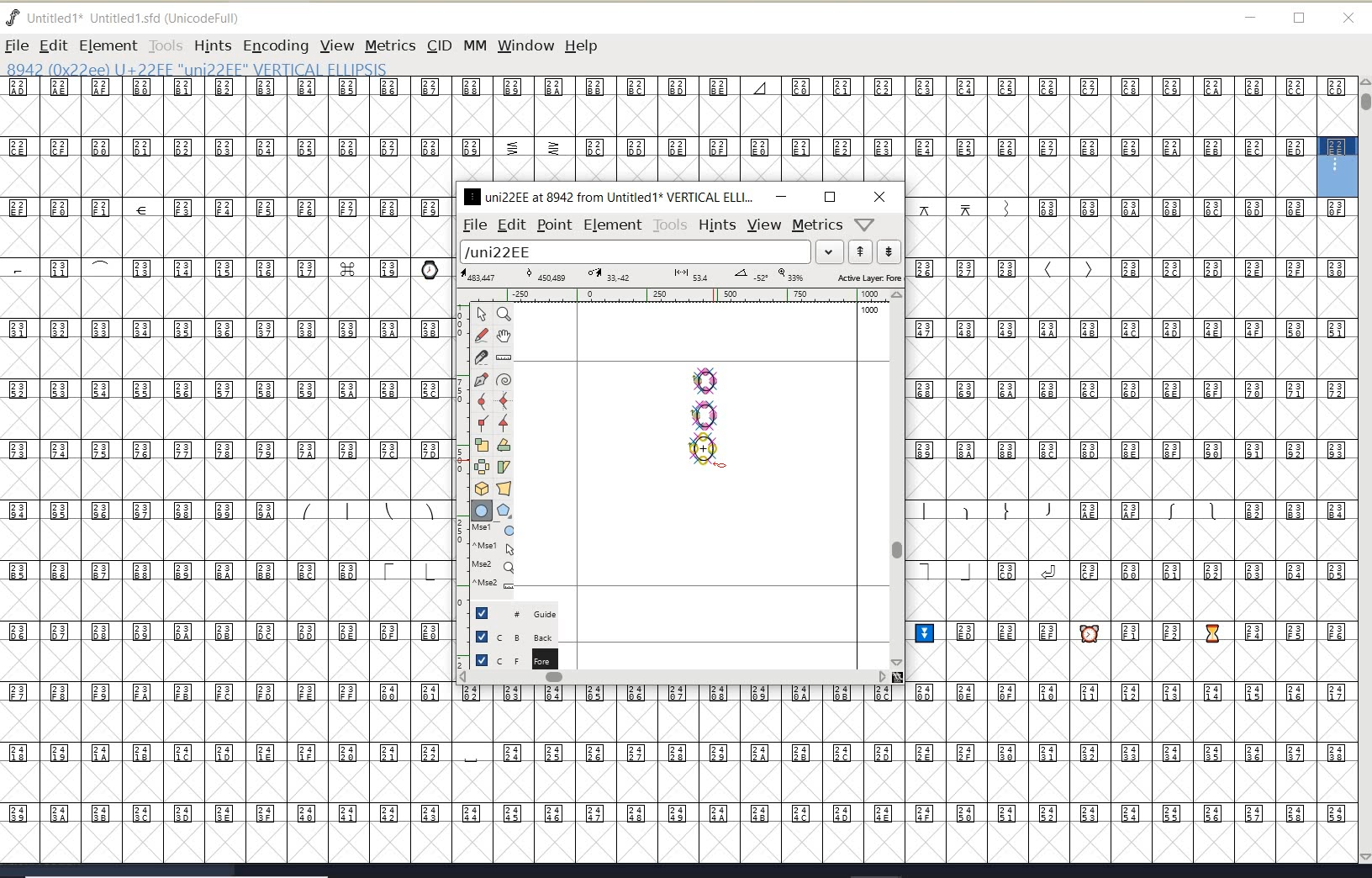 This screenshot has height=878, width=1372. Describe the element at coordinates (212, 46) in the screenshot. I see `HINTS` at that location.